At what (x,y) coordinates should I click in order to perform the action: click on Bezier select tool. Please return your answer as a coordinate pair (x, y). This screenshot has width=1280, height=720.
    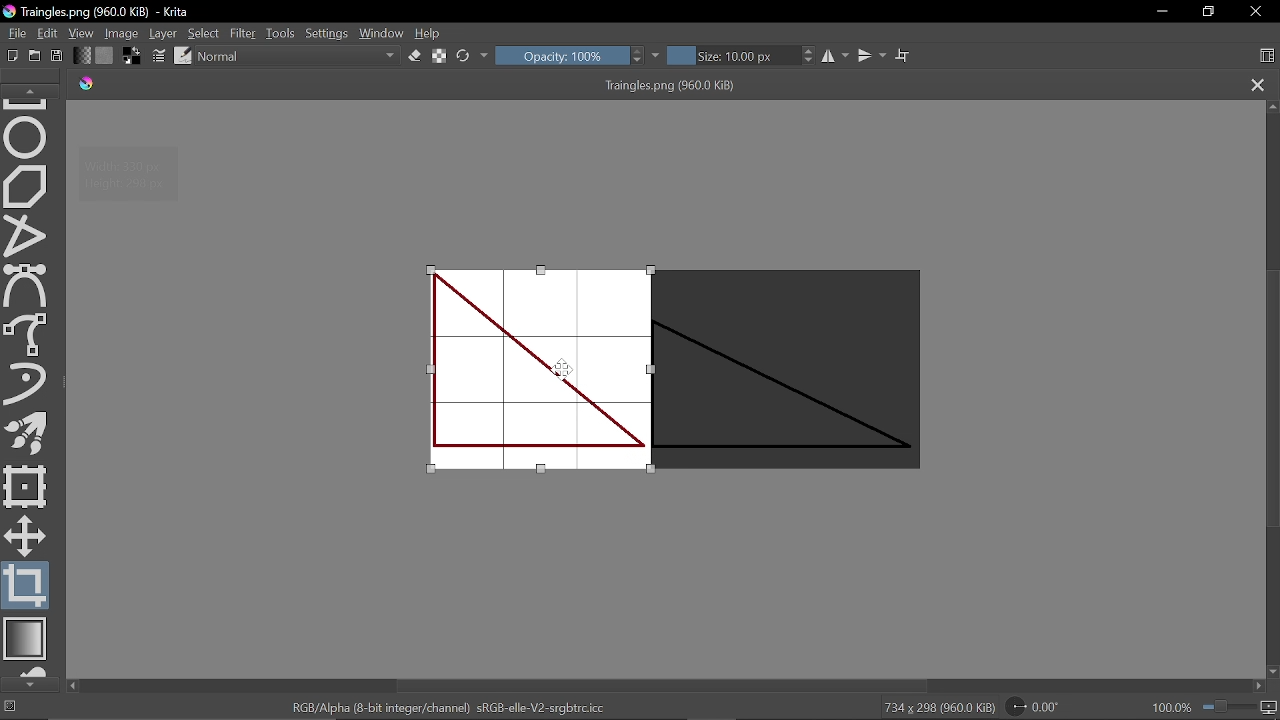
    Looking at the image, I should click on (25, 286).